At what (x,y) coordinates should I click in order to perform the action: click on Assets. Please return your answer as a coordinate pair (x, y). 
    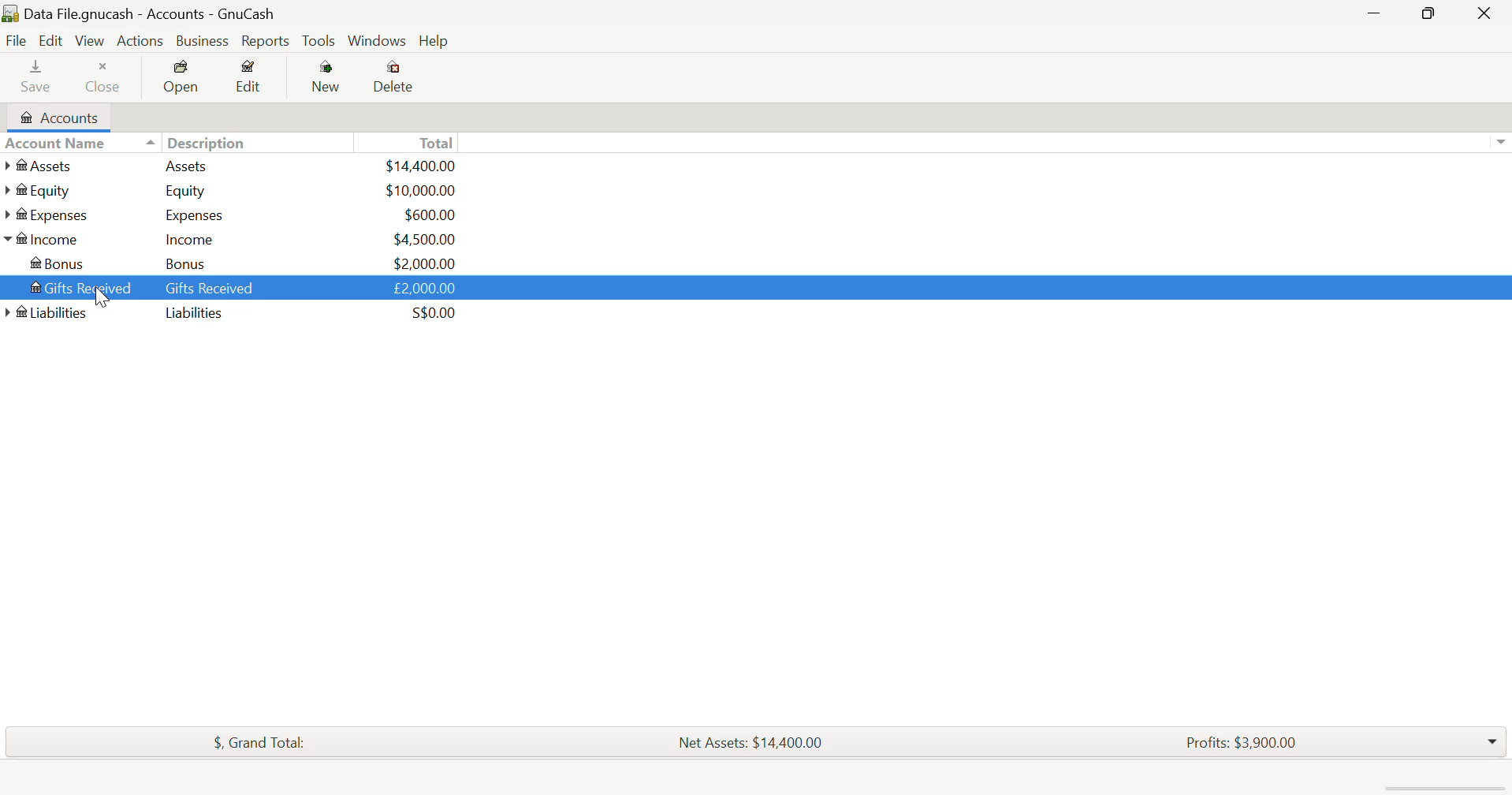
    Looking at the image, I should click on (43, 167).